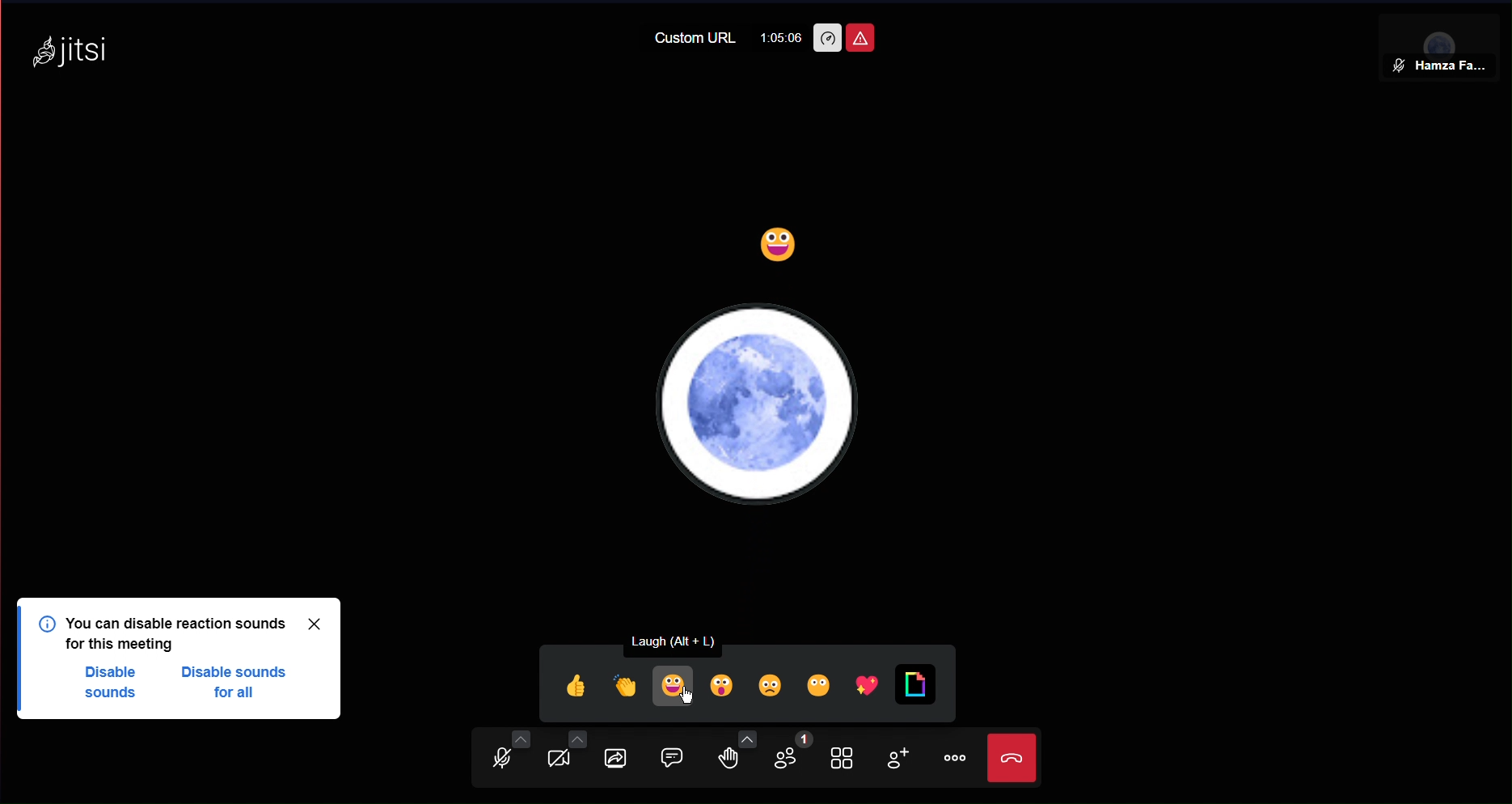 The image size is (1512, 804). I want to click on User Profile Picture, so click(761, 403).